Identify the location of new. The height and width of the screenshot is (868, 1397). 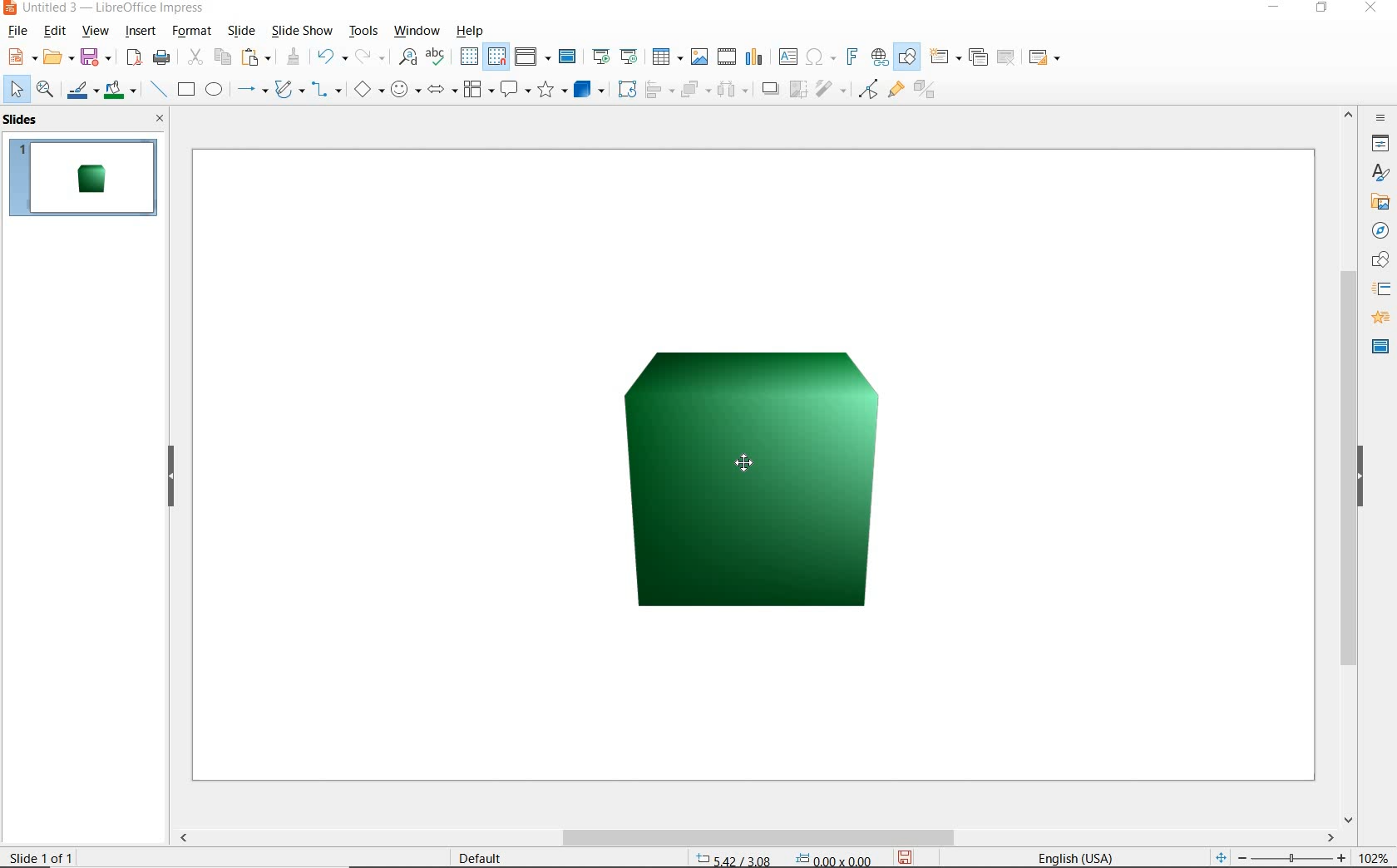
(21, 57).